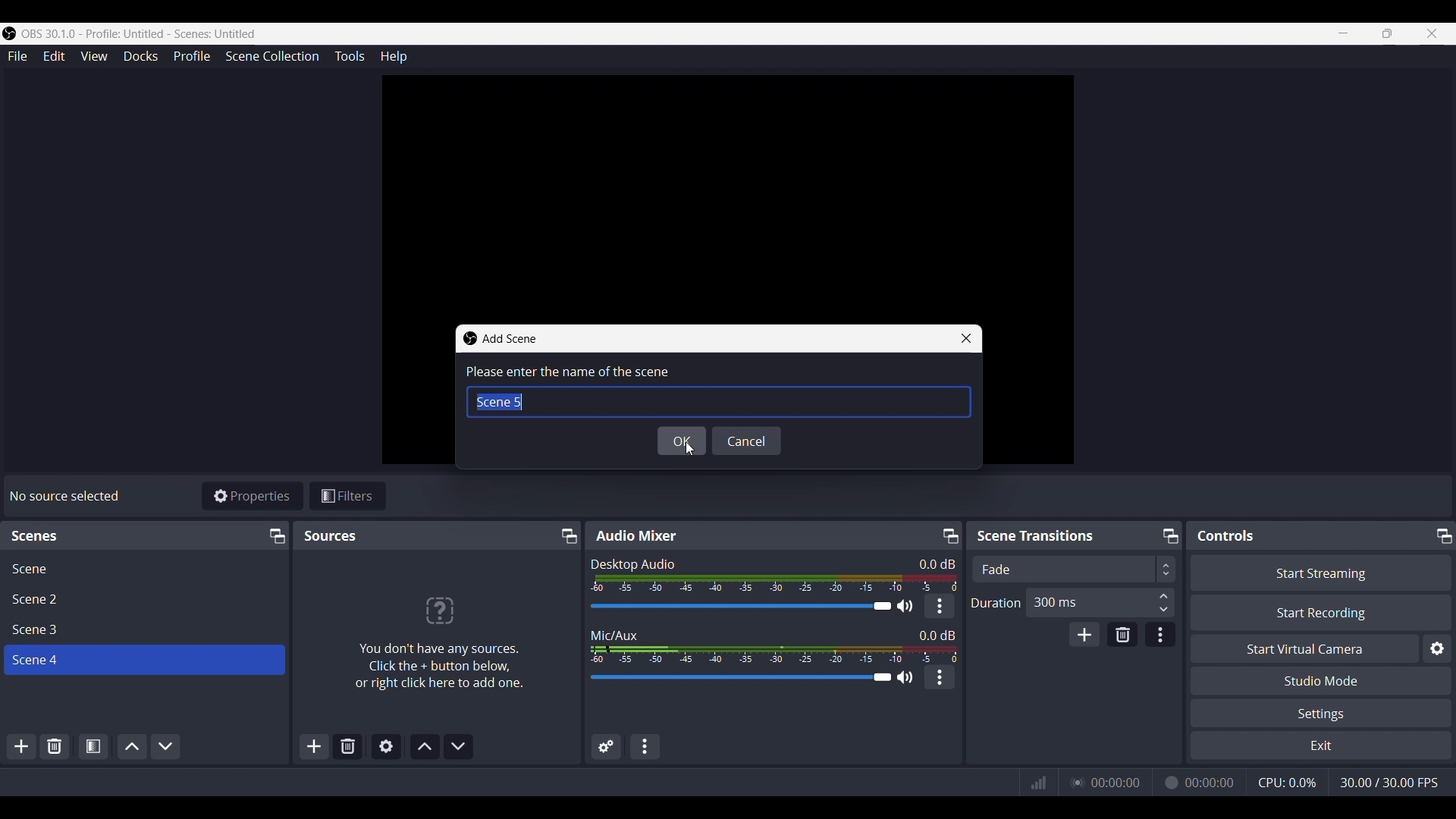 This screenshot has width=1456, height=819. Describe the element at coordinates (93, 745) in the screenshot. I see `Open Source filter` at that location.